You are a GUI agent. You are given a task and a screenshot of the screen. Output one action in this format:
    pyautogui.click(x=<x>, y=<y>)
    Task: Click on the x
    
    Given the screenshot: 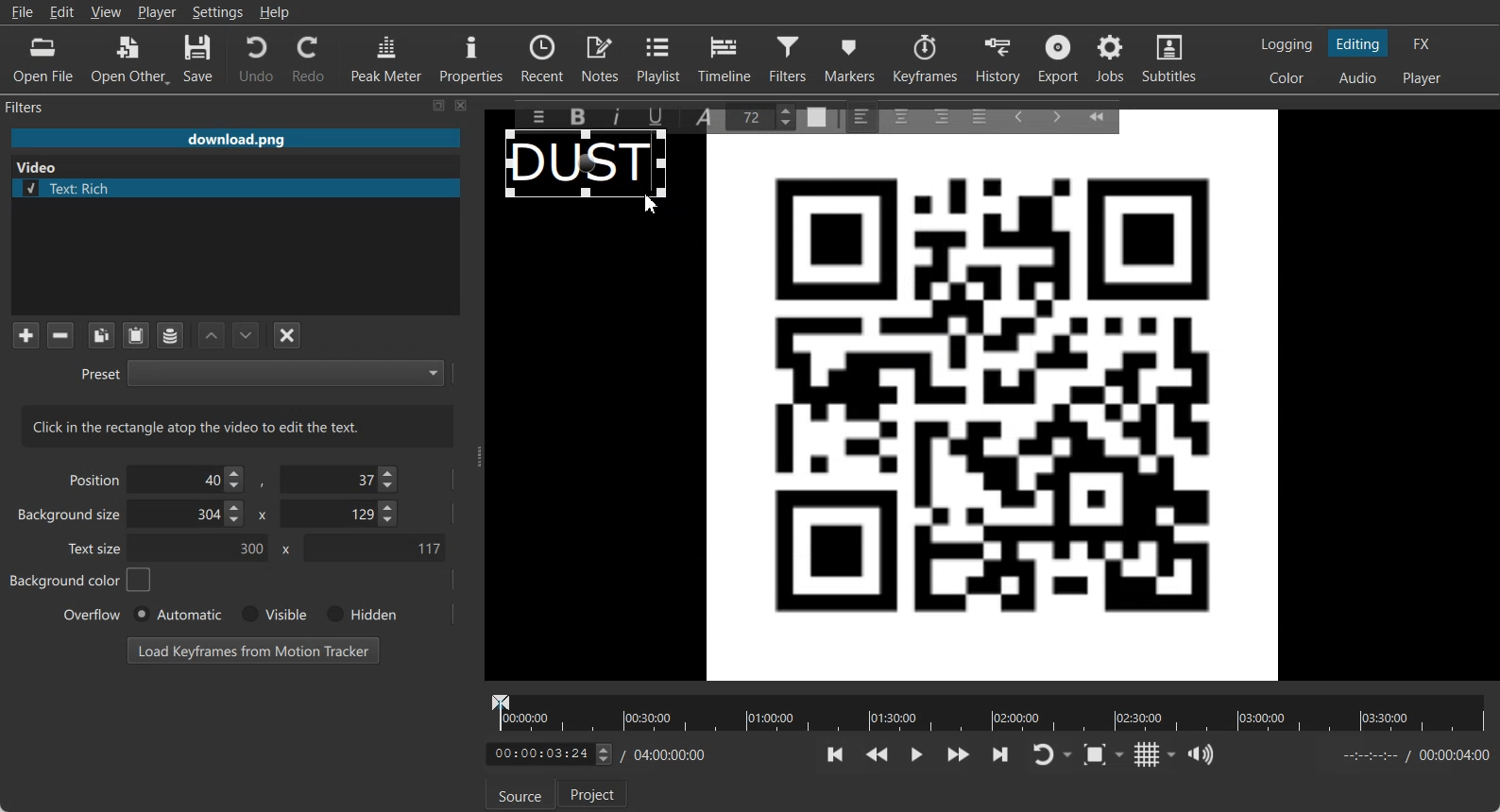 What is the action you would take?
    pyautogui.click(x=282, y=550)
    